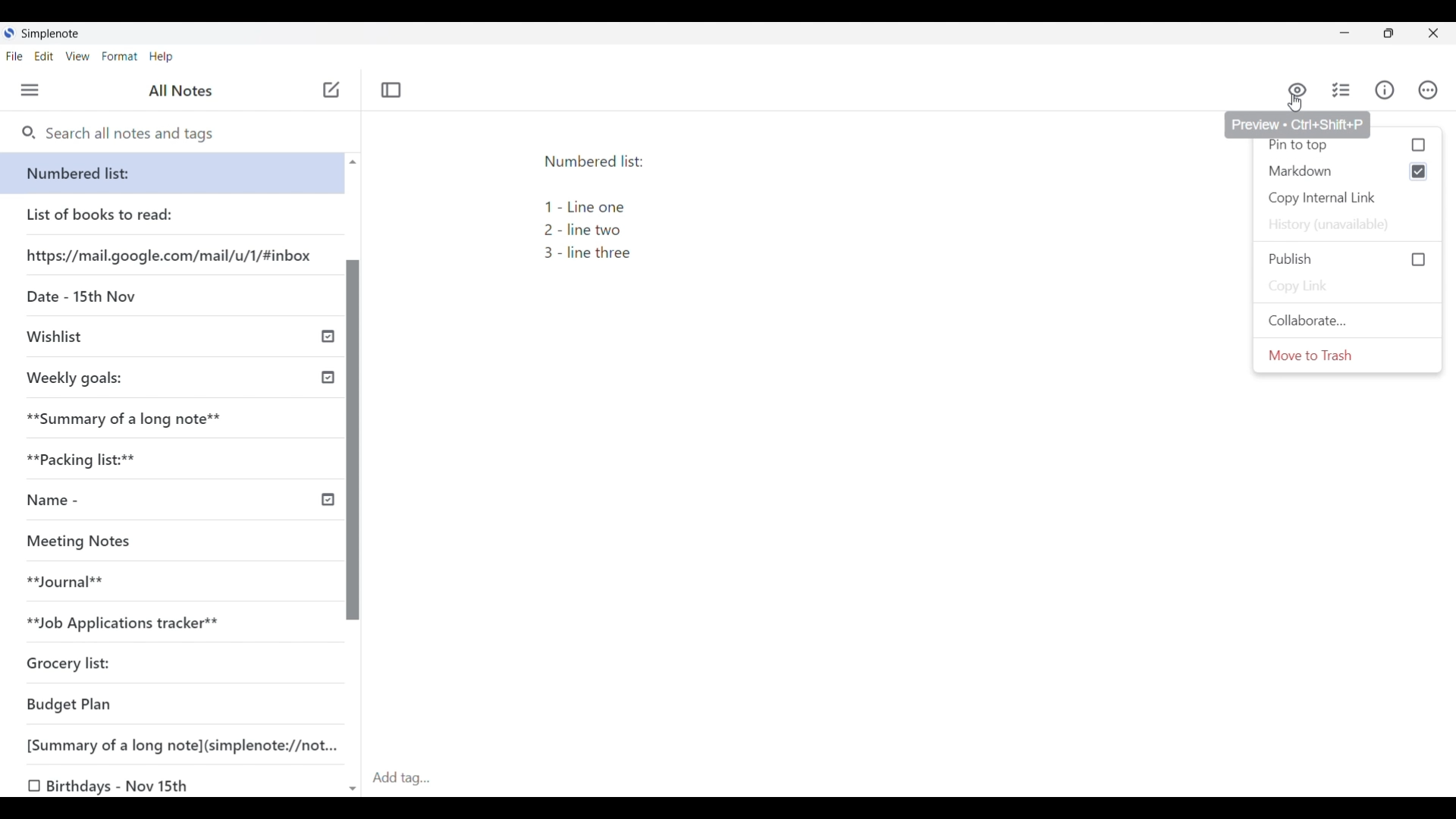 The height and width of the screenshot is (819, 1456). Describe the element at coordinates (64, 340) in the screenshot. I see `Wishlist` at that location.